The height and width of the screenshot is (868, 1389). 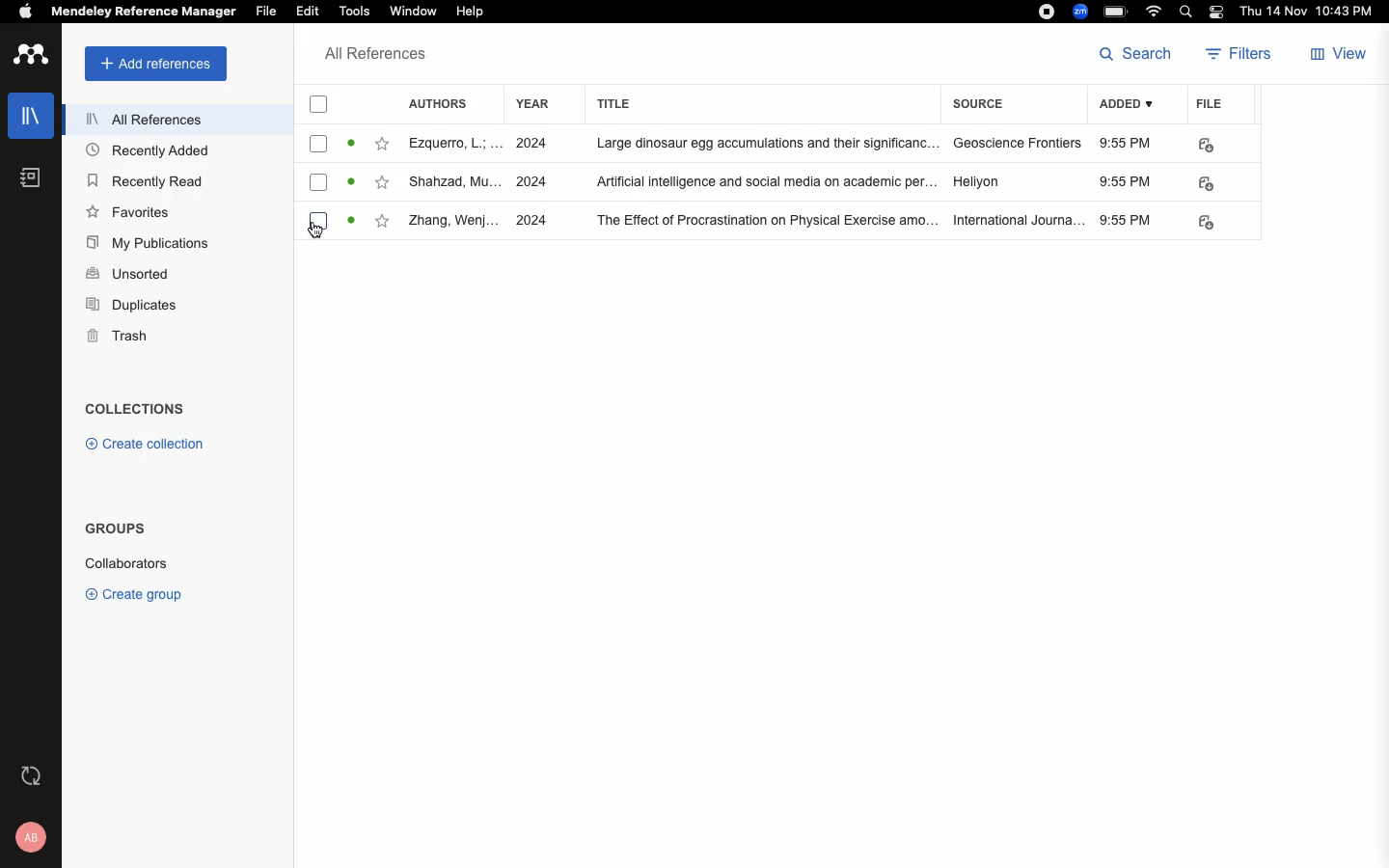 I want to click on large dinasour egg accumolatations and their significance, so click(x=769, y=143).